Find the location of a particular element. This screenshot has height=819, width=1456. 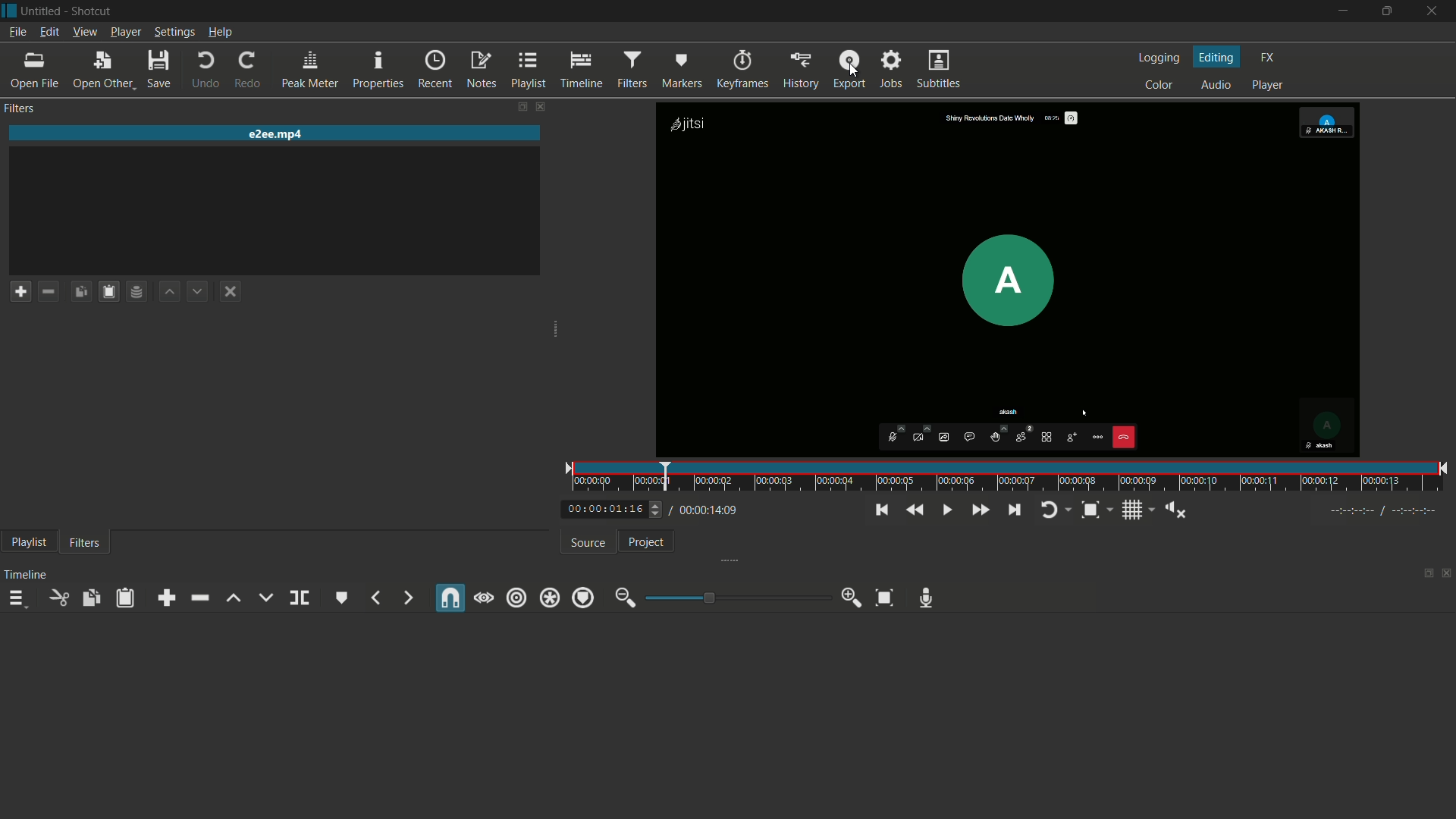

file menu is located at coordinates (17, 32).